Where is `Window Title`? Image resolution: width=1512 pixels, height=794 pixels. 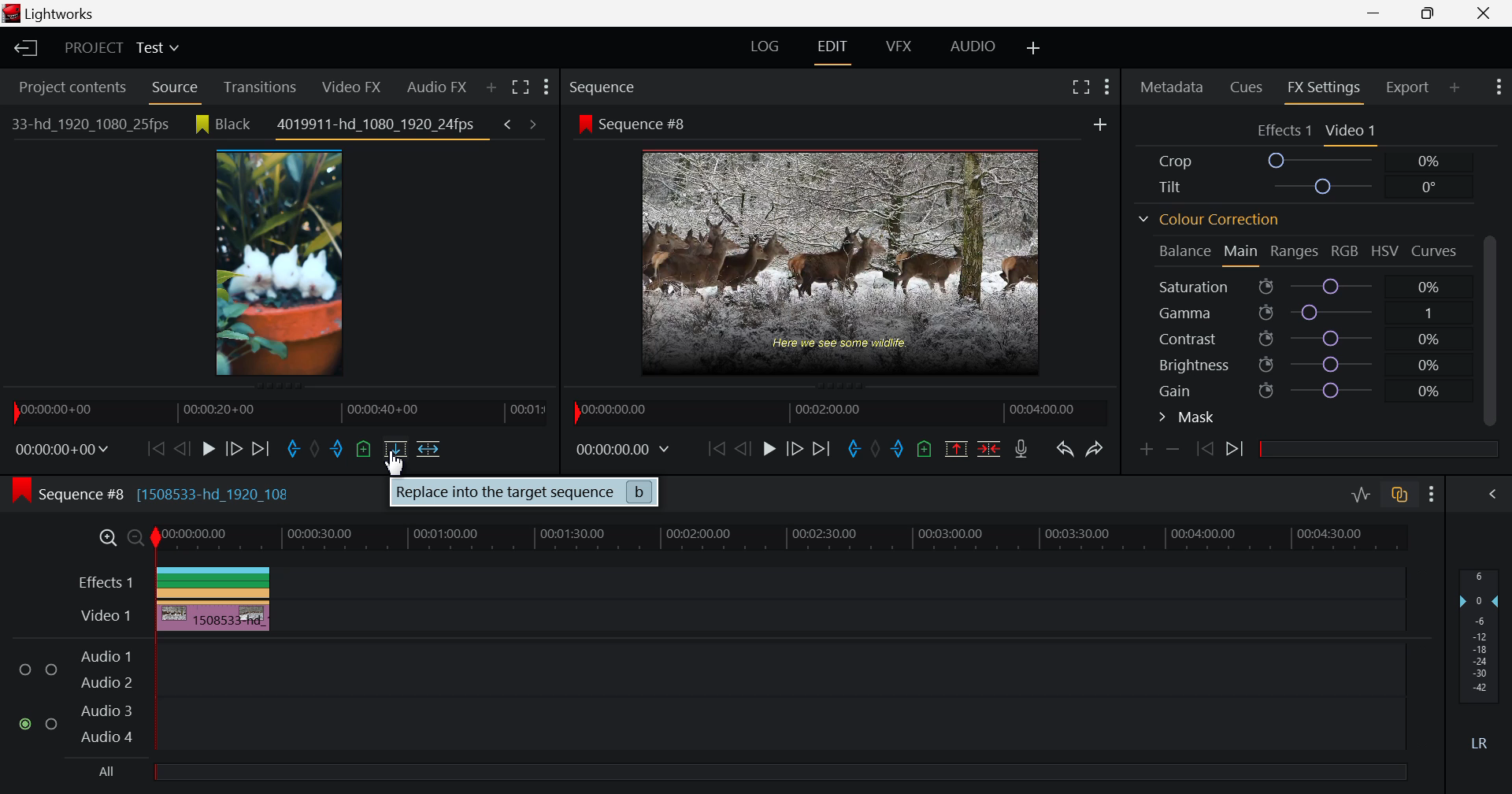 Window Title is located at coordinates (61, 15).